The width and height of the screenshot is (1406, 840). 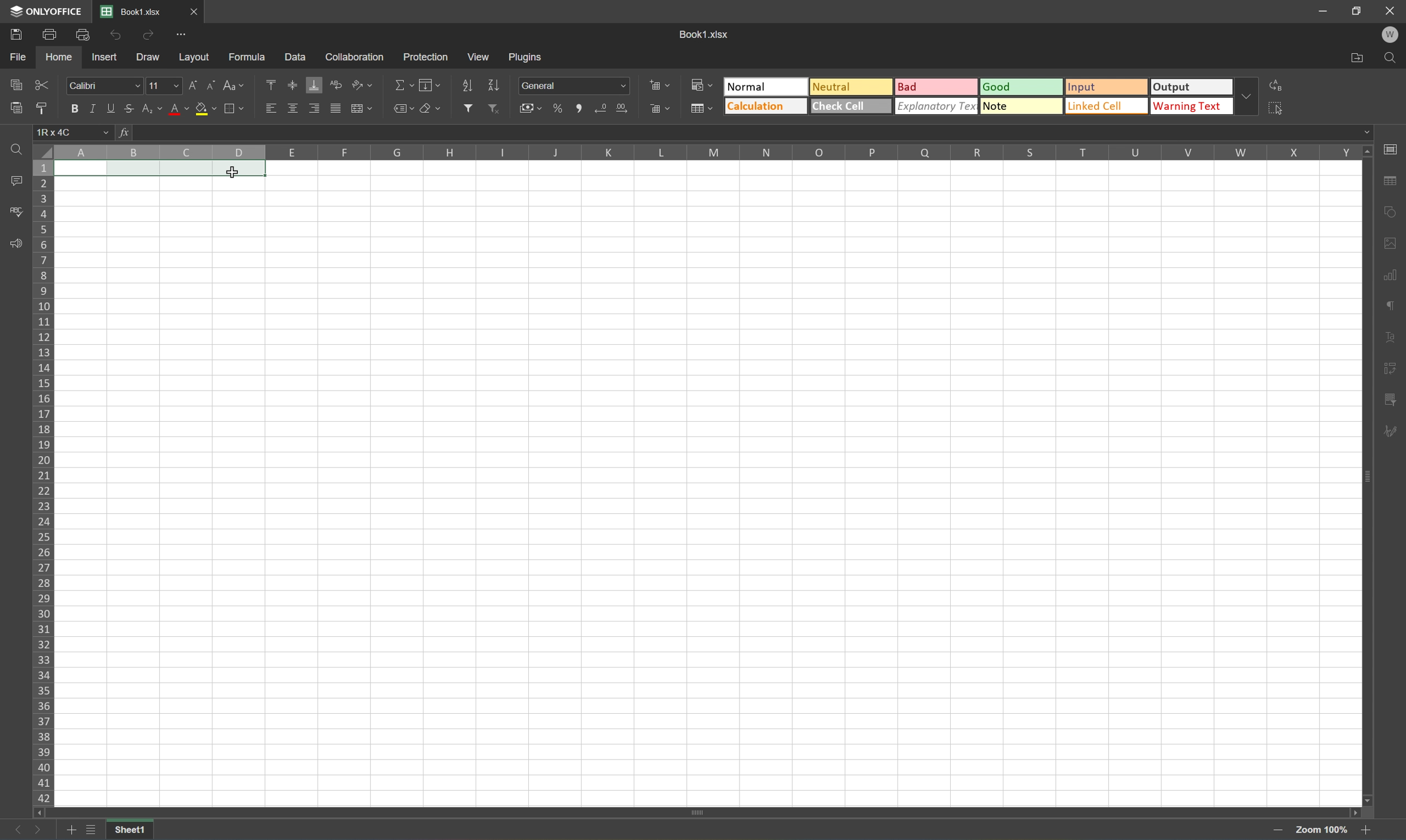 I want to click on Insert, so click(x=104, y=59).